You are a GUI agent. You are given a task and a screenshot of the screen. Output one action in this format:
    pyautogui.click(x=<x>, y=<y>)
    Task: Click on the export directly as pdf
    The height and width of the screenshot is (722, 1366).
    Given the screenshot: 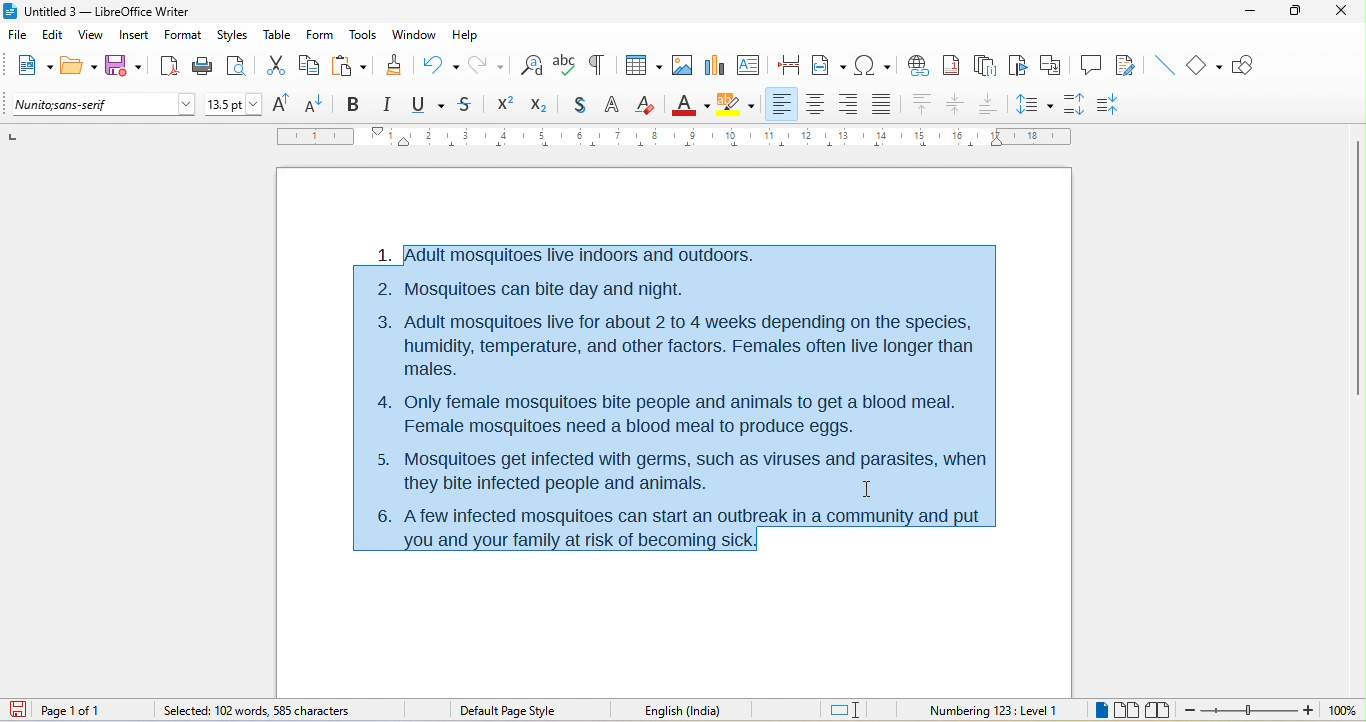 What is the action you would take?
    pyautogui.click(x=168, y=66)
    